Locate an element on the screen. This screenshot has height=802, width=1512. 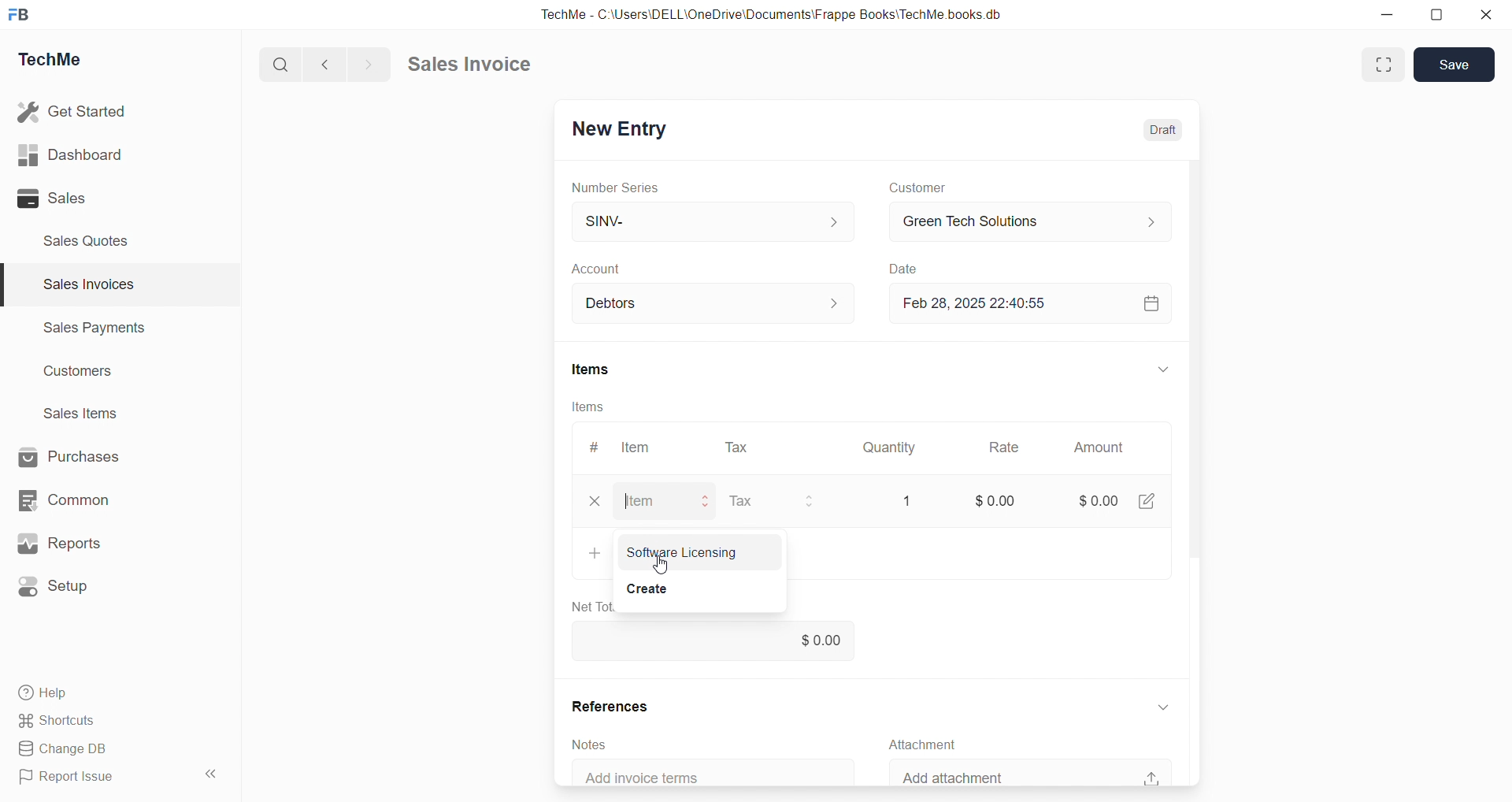
down is located at coordinates (1164, 707).